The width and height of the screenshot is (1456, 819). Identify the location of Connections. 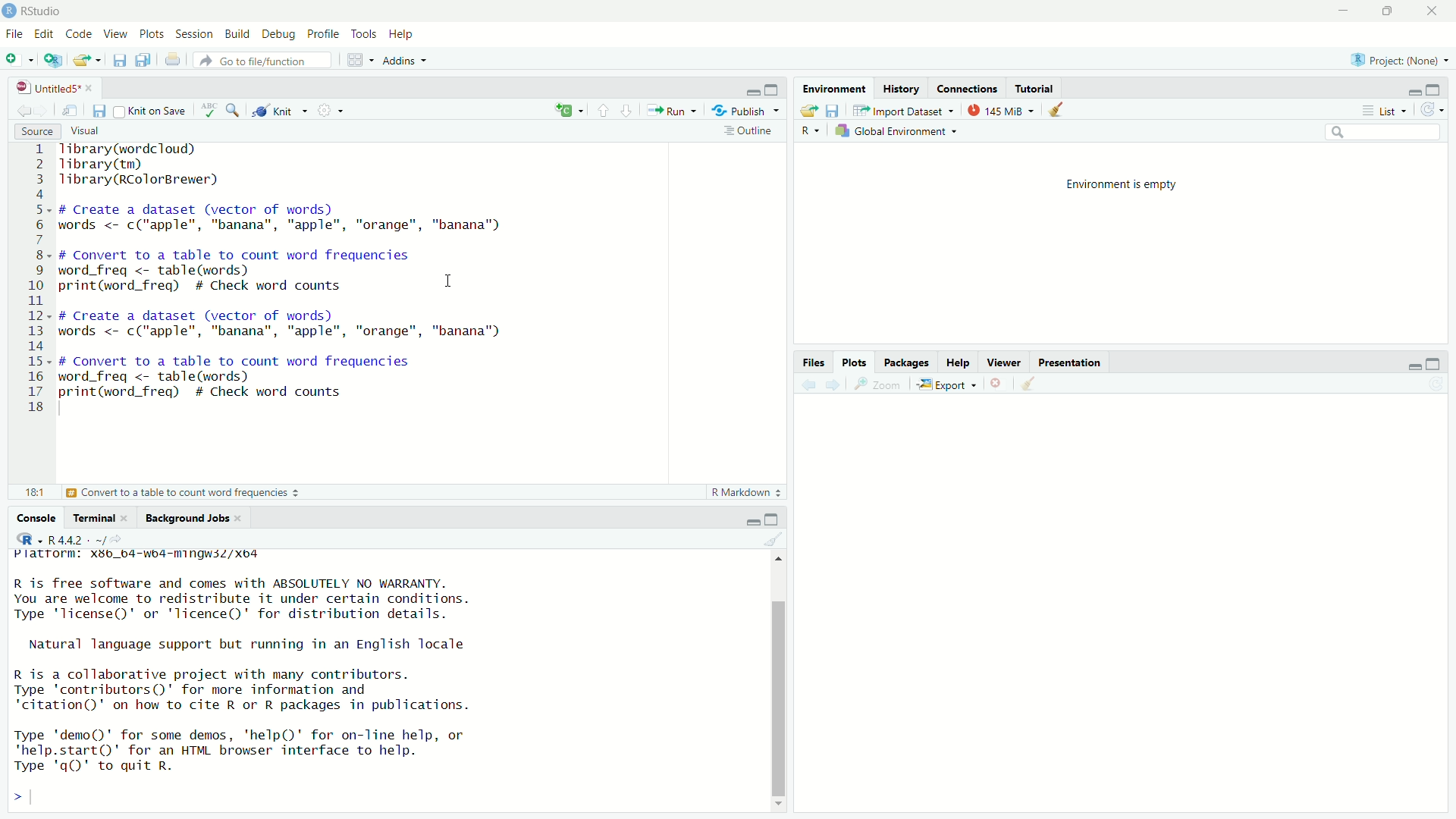
(969, 89).